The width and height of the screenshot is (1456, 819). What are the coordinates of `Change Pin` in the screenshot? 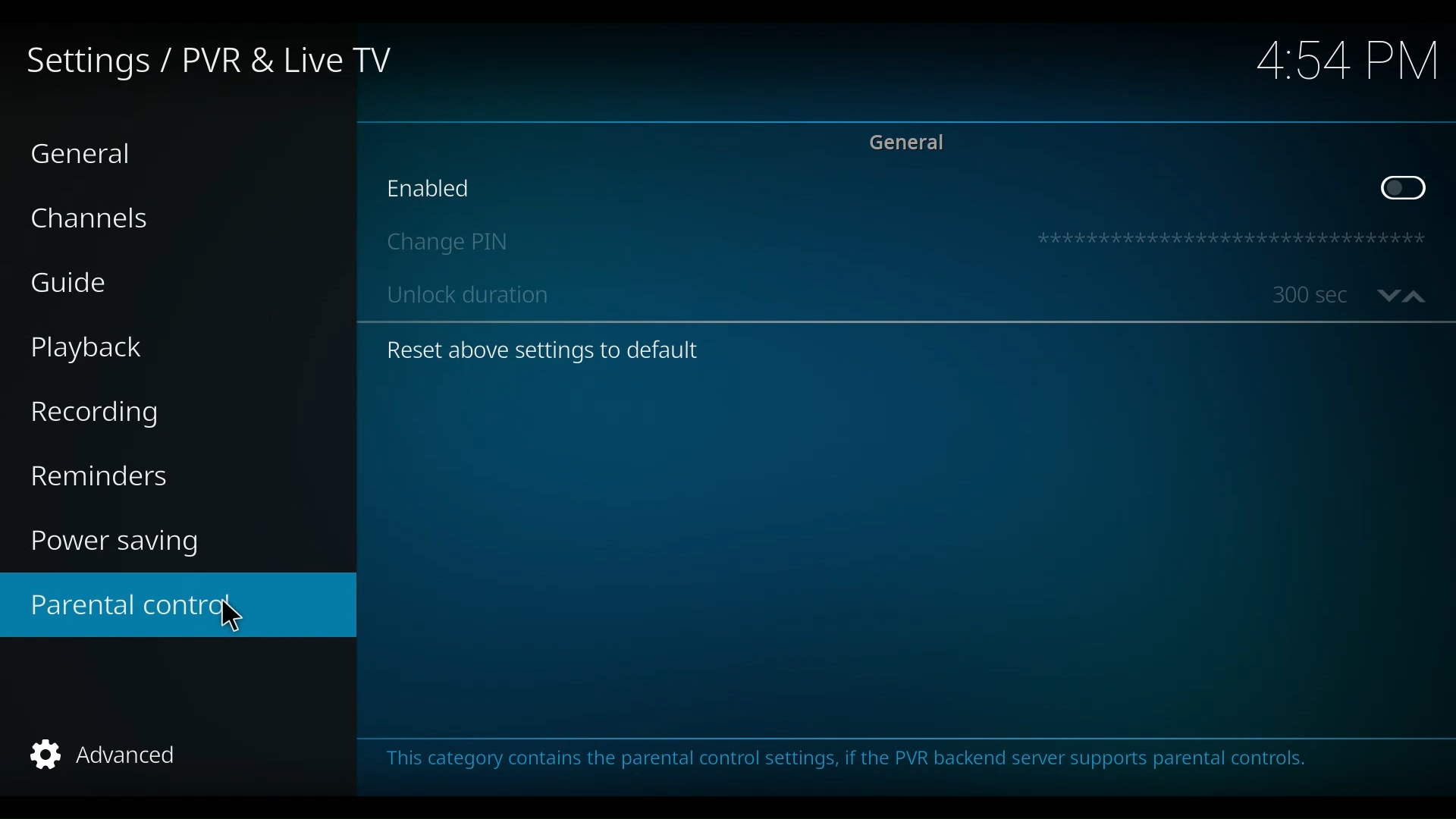 It's located at (699, 240).